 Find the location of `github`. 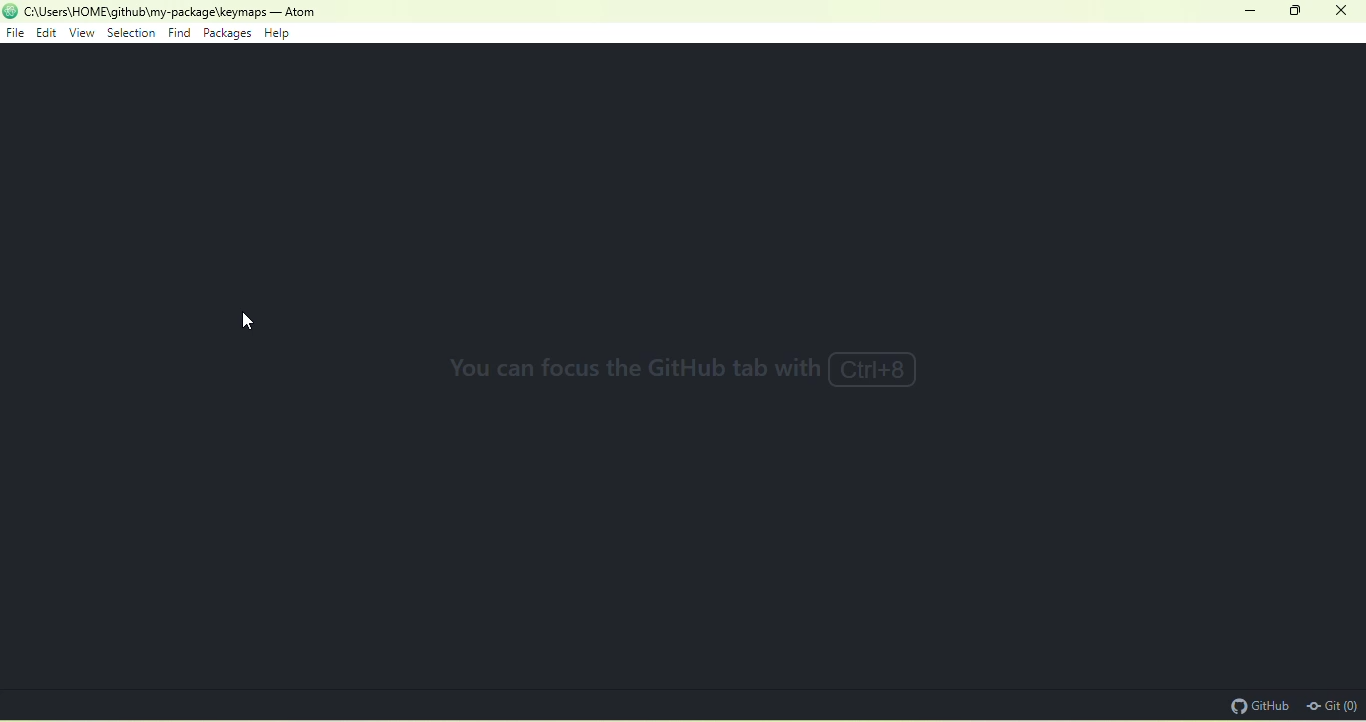

github is located at coordinates (1257, 706).